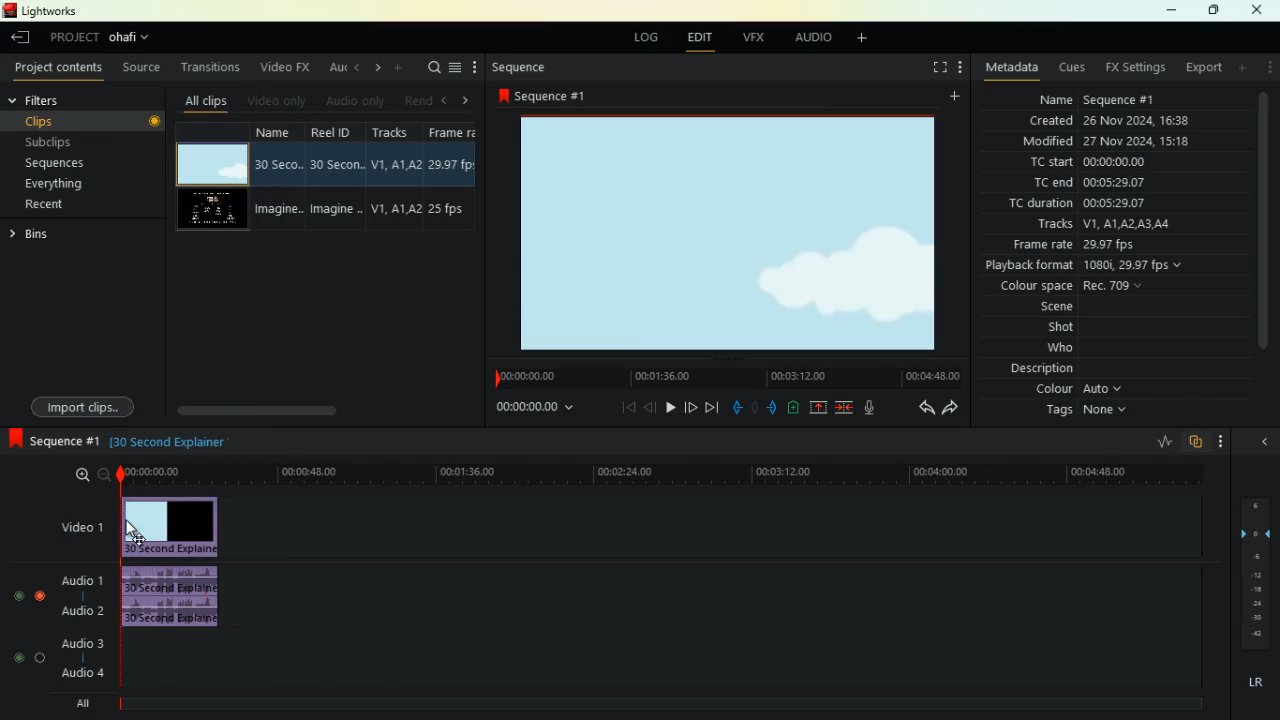 Image resolution: width=1280 pixels, height=720 pixels. What do you see at coordinates (845, 408) in the screenshot?
I see `merge` at bounding box center [845, 408].